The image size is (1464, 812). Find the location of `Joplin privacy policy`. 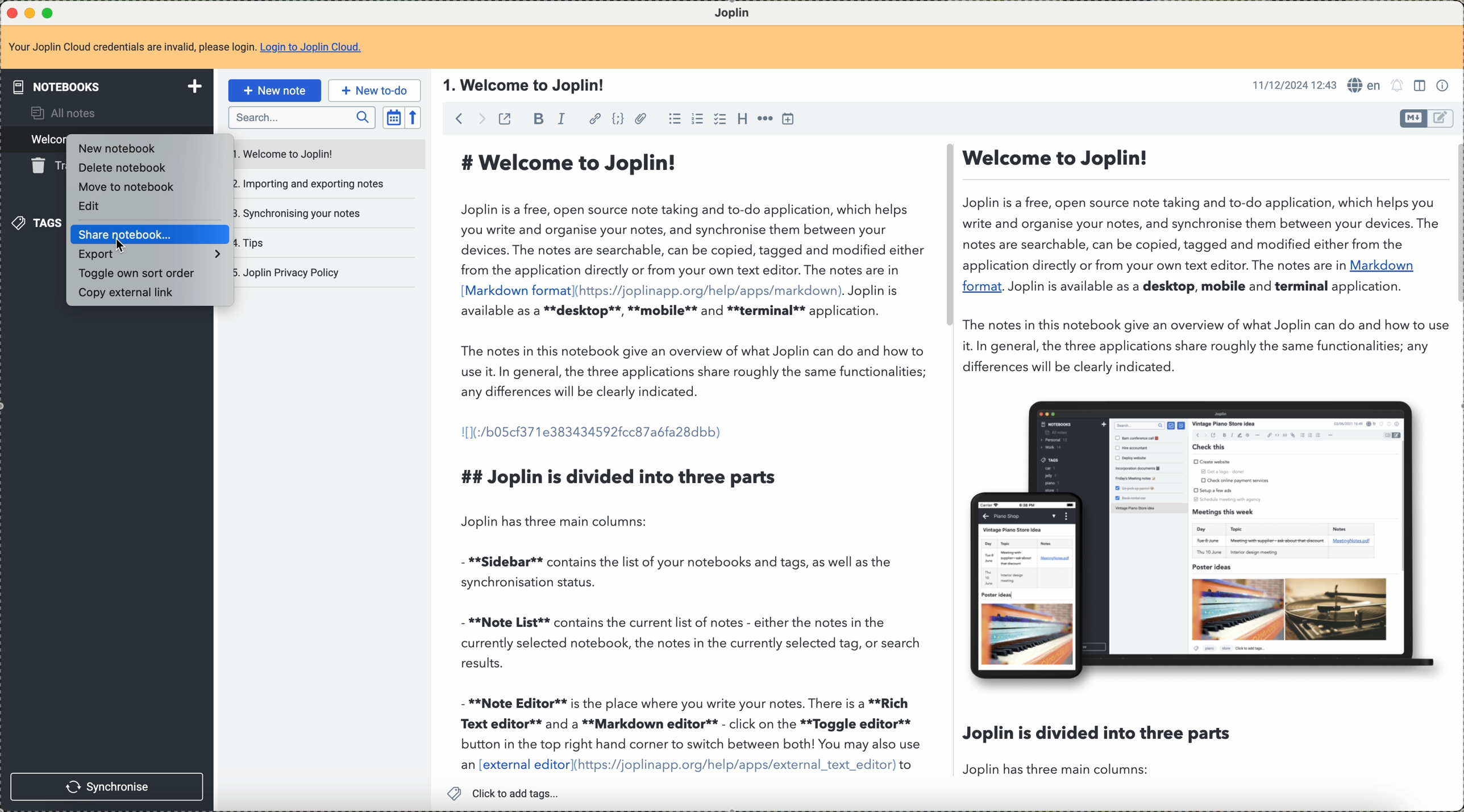

Joplin privacy policy is located at coordinates (290, 272).